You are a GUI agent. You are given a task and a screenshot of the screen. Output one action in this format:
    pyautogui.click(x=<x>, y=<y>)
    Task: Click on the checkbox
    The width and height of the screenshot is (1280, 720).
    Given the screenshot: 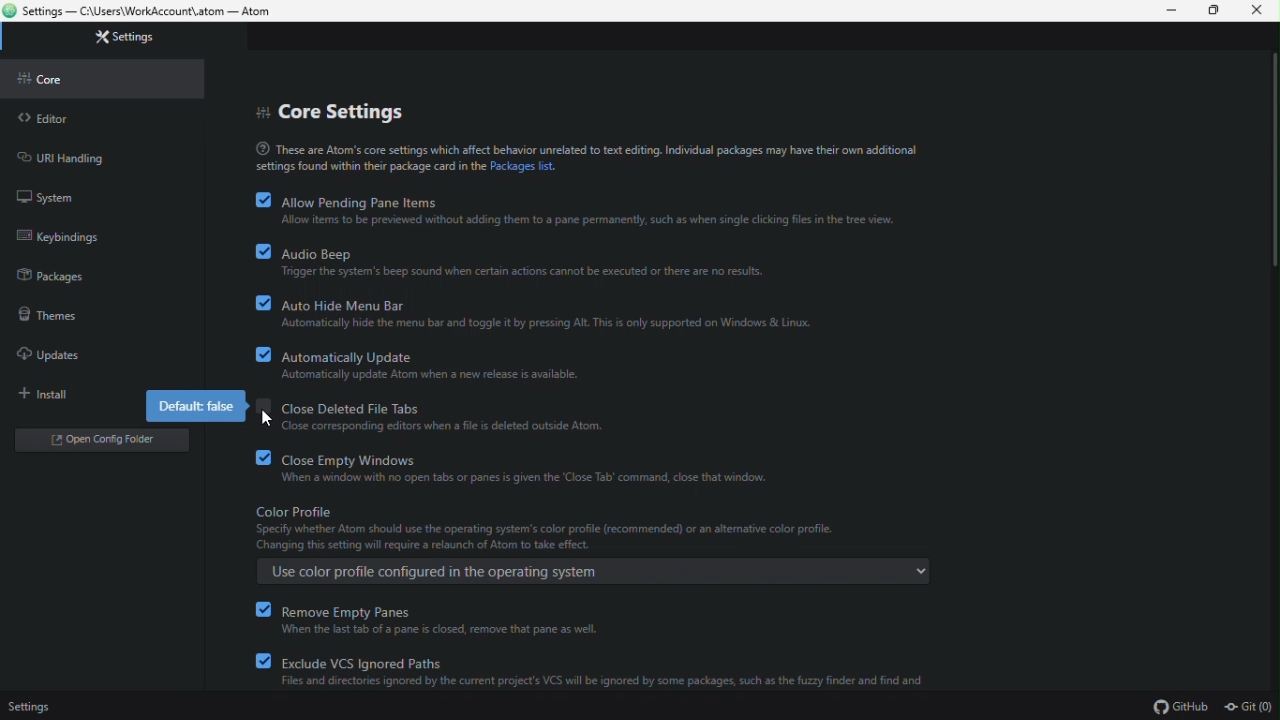 What is the action you would take?
    pyautogui.click(x=259, y=459)
    